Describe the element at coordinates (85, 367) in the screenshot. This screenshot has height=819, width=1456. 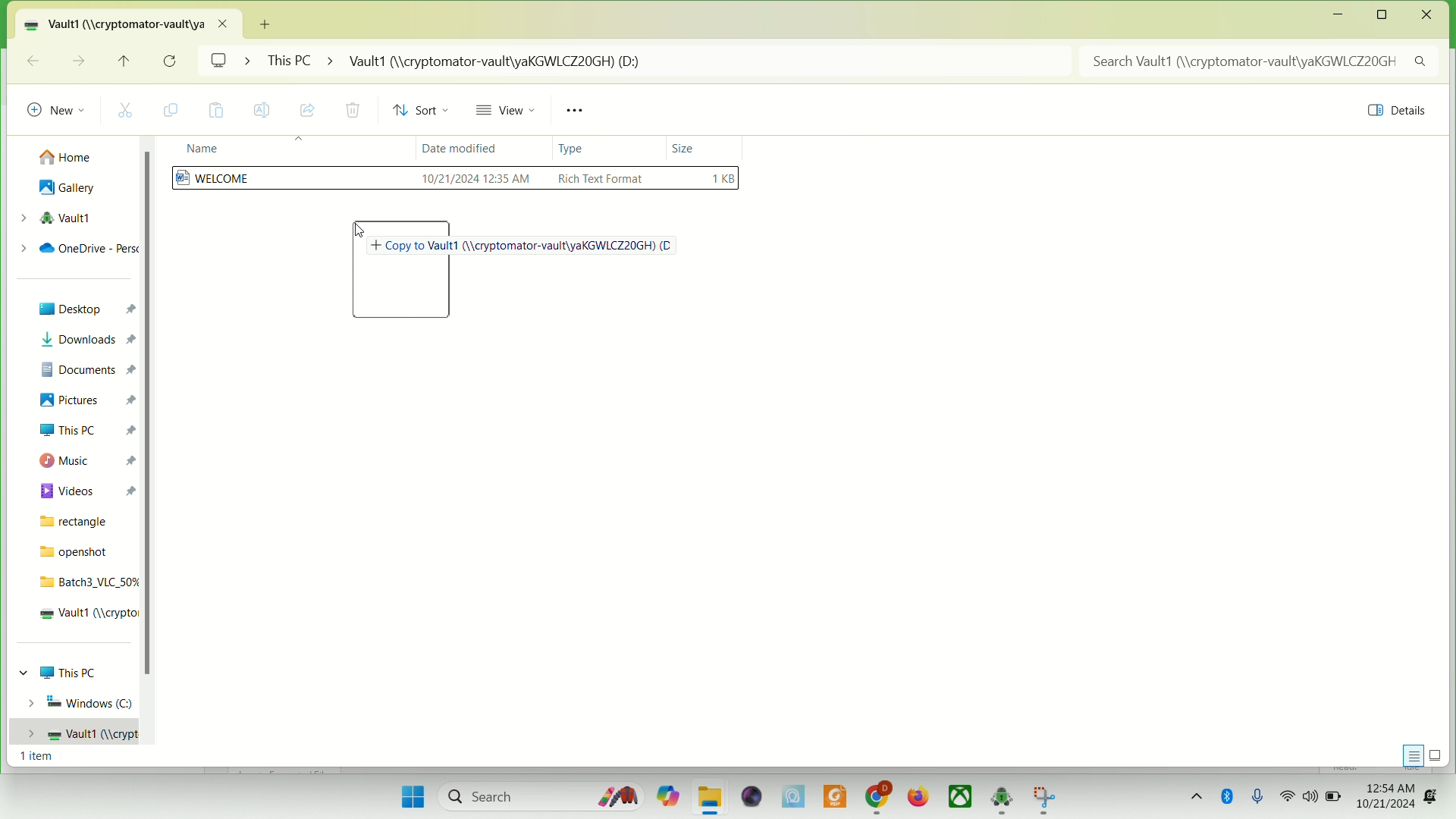
I see `documents` at that location.